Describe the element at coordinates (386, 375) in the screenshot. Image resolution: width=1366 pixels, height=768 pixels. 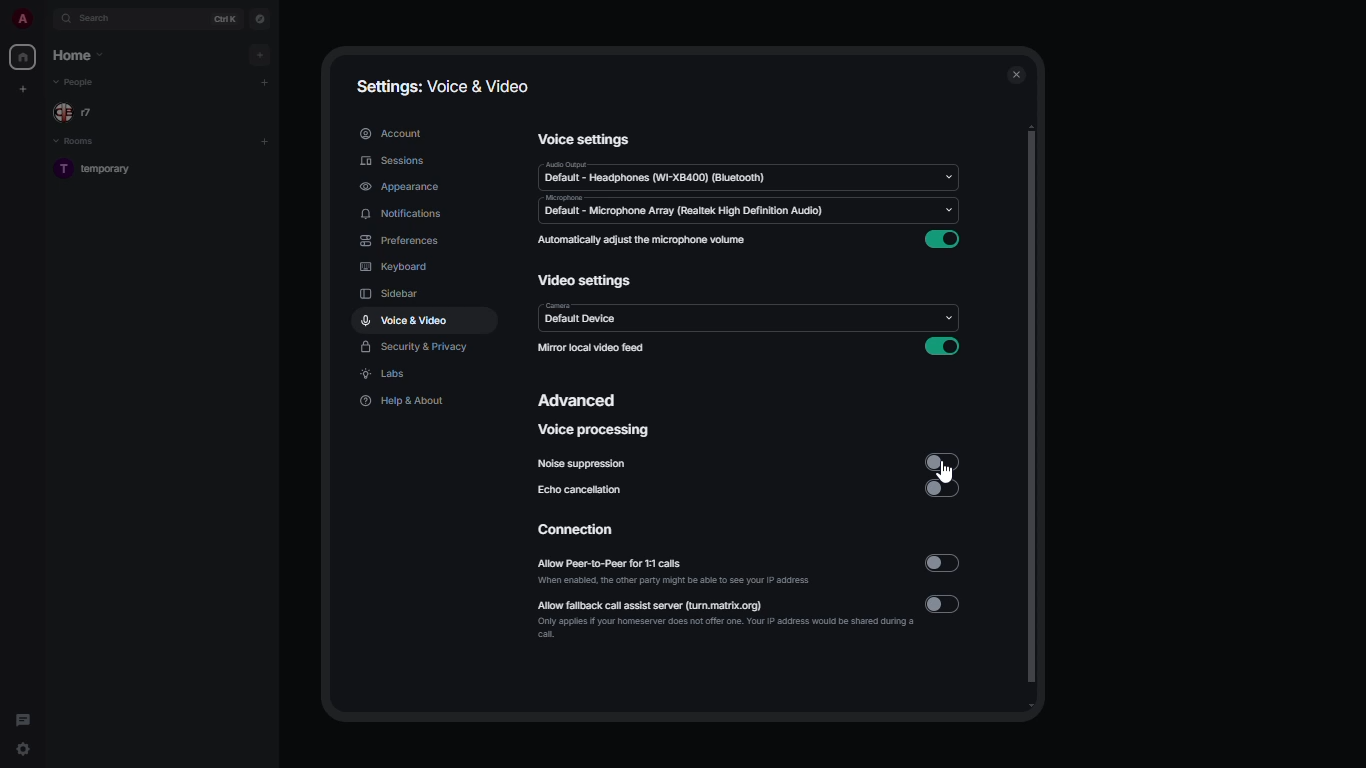
I see `labs` at that location.